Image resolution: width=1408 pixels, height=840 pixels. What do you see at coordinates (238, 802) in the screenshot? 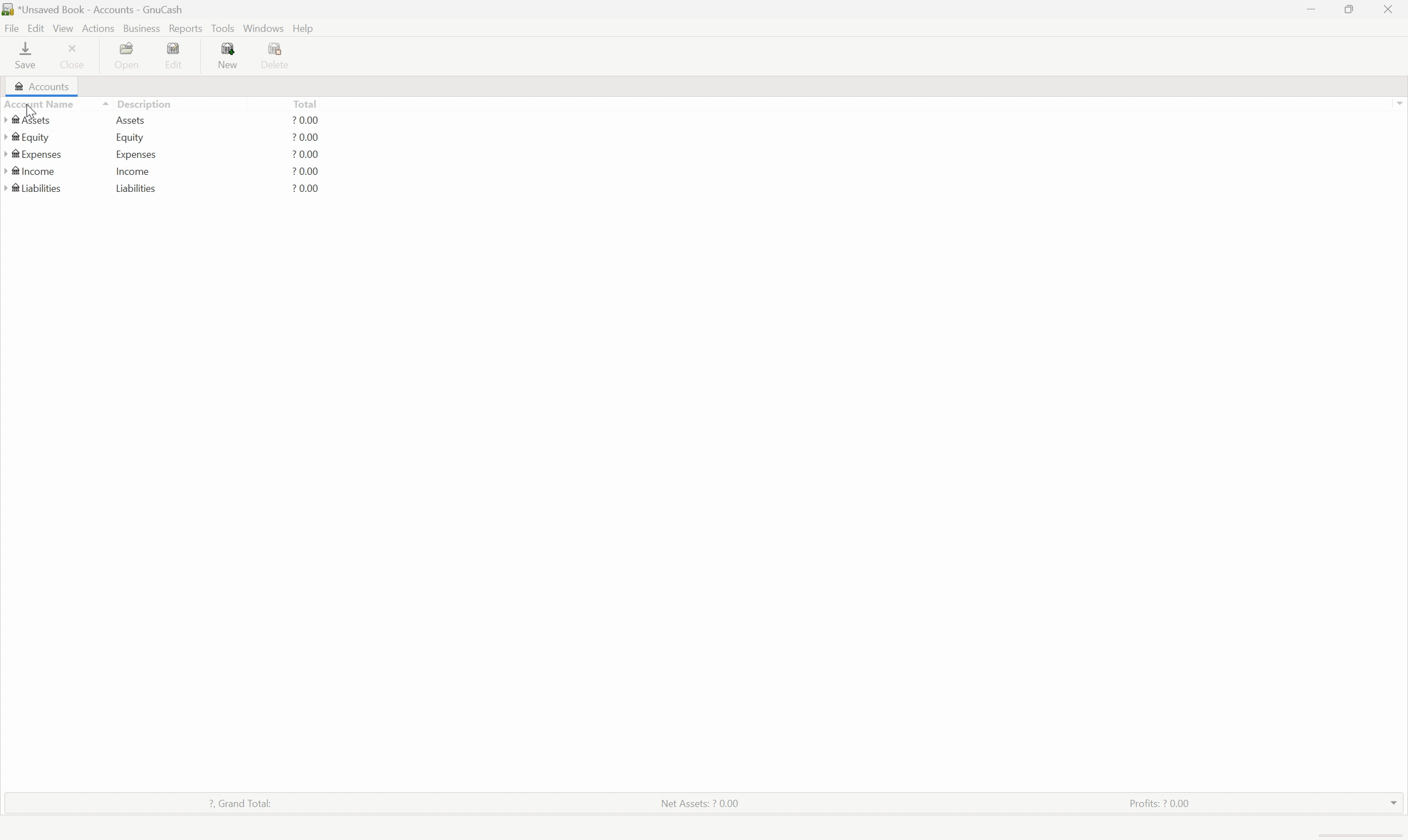
I see `? Grand total` at bounding box center [238, 802].